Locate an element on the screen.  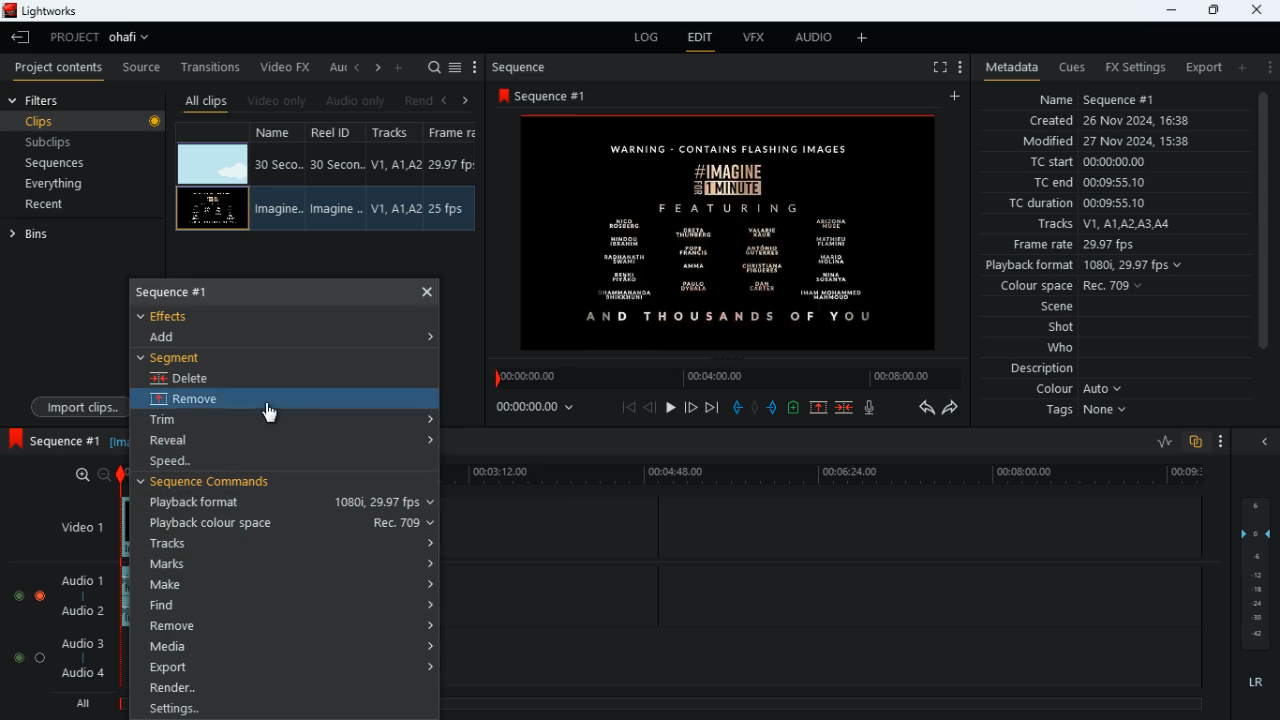
vfx is located at coordinates (750, 38).